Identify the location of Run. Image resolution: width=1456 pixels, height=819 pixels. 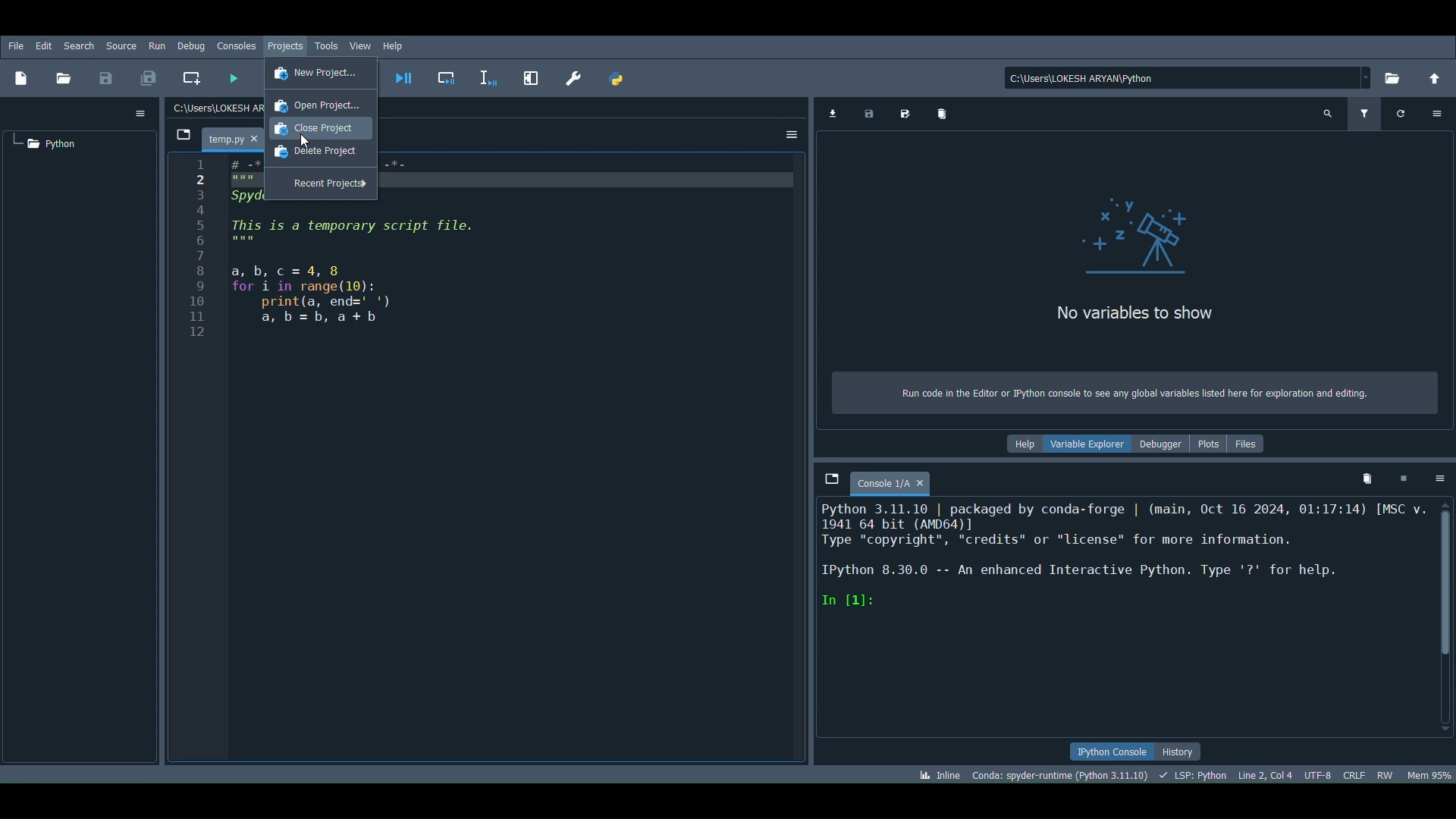
(155, 45).